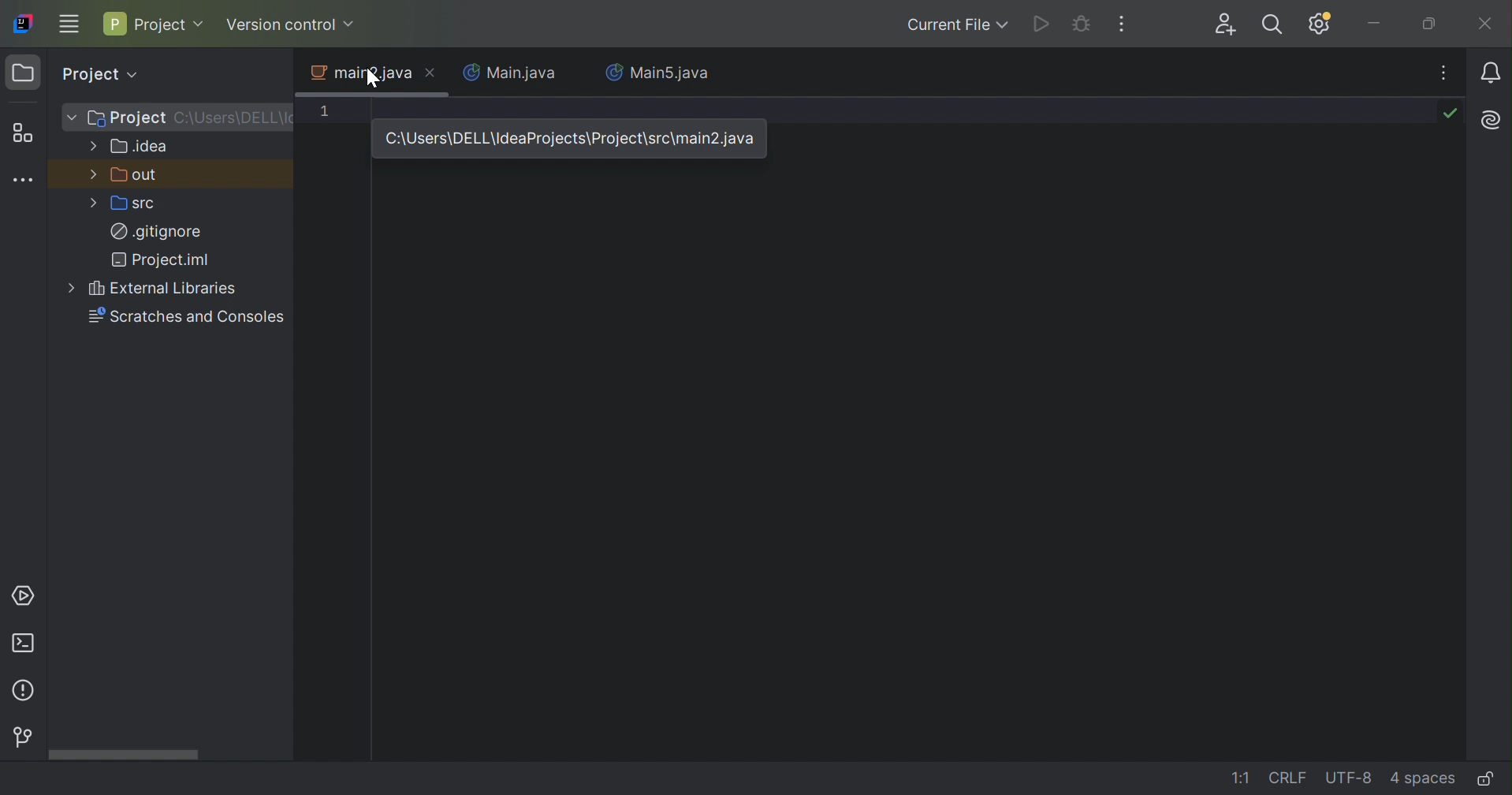  Describe the element at coordinates (94, 144) in the screenshot. I see `More` at that location.